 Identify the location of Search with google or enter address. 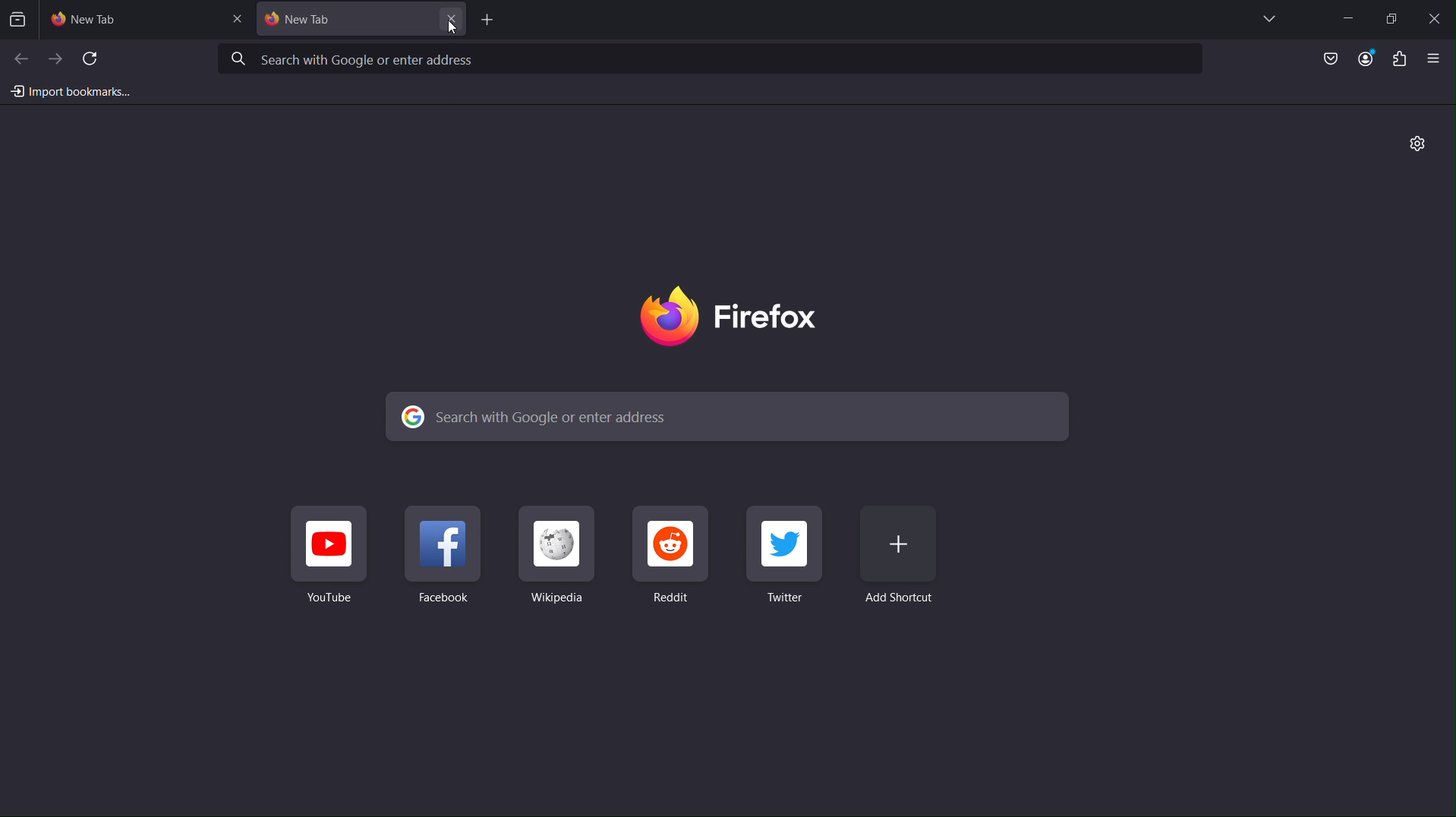
(726, 417).